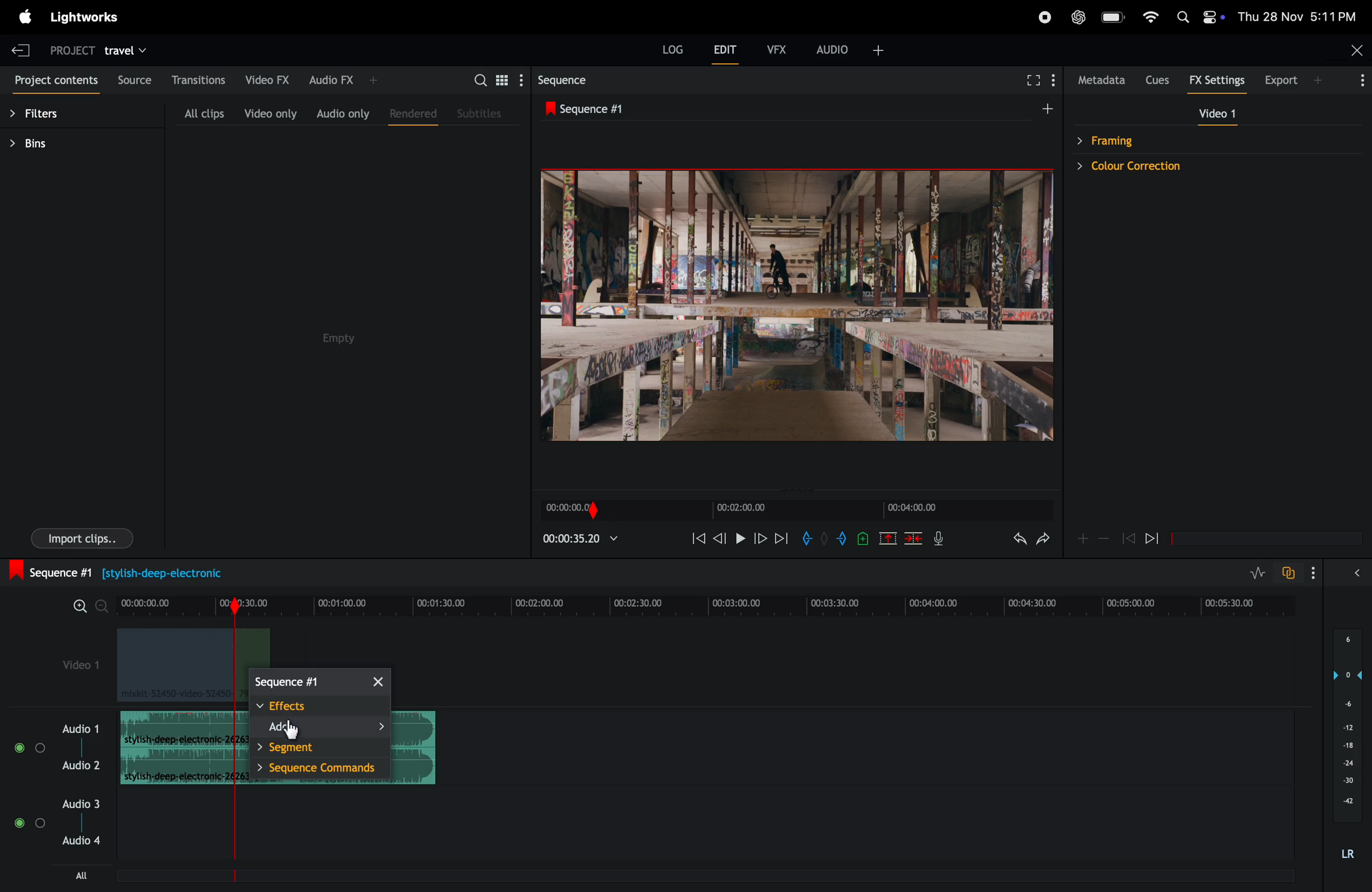 The image size is (1372, 892). I want to click on Audio Clip, so click(175, 768).